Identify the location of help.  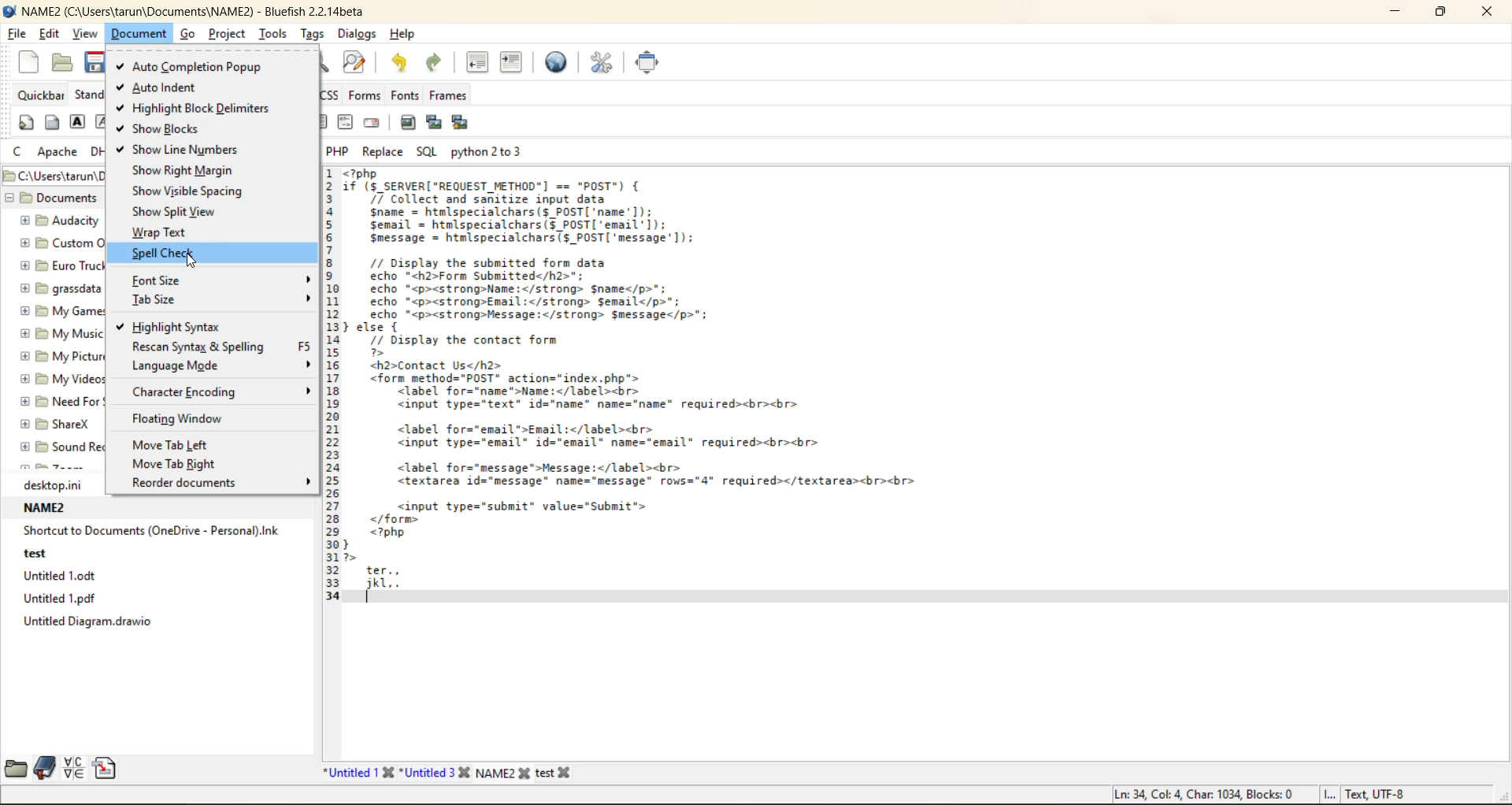
(406, 35).